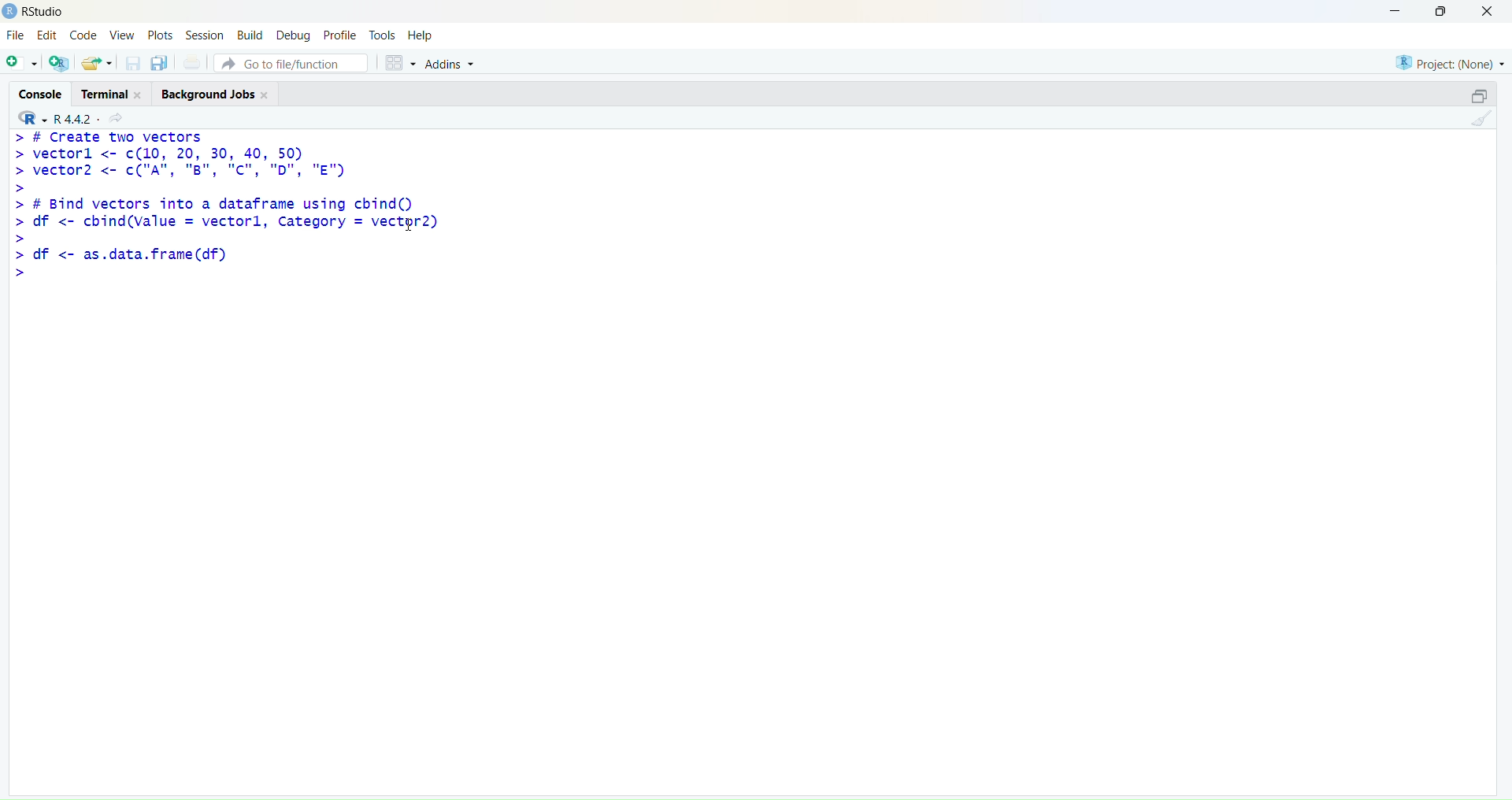 The height and width of the screenshot is (800, 1512). Describe the element at coordinates (180, 162) in the screenshot. I see `# Create two vectorsvectorl <- c(10, 20, 30, 40, 50)vector2 <- c("A", "B", “C", "D", "E")` at that location.